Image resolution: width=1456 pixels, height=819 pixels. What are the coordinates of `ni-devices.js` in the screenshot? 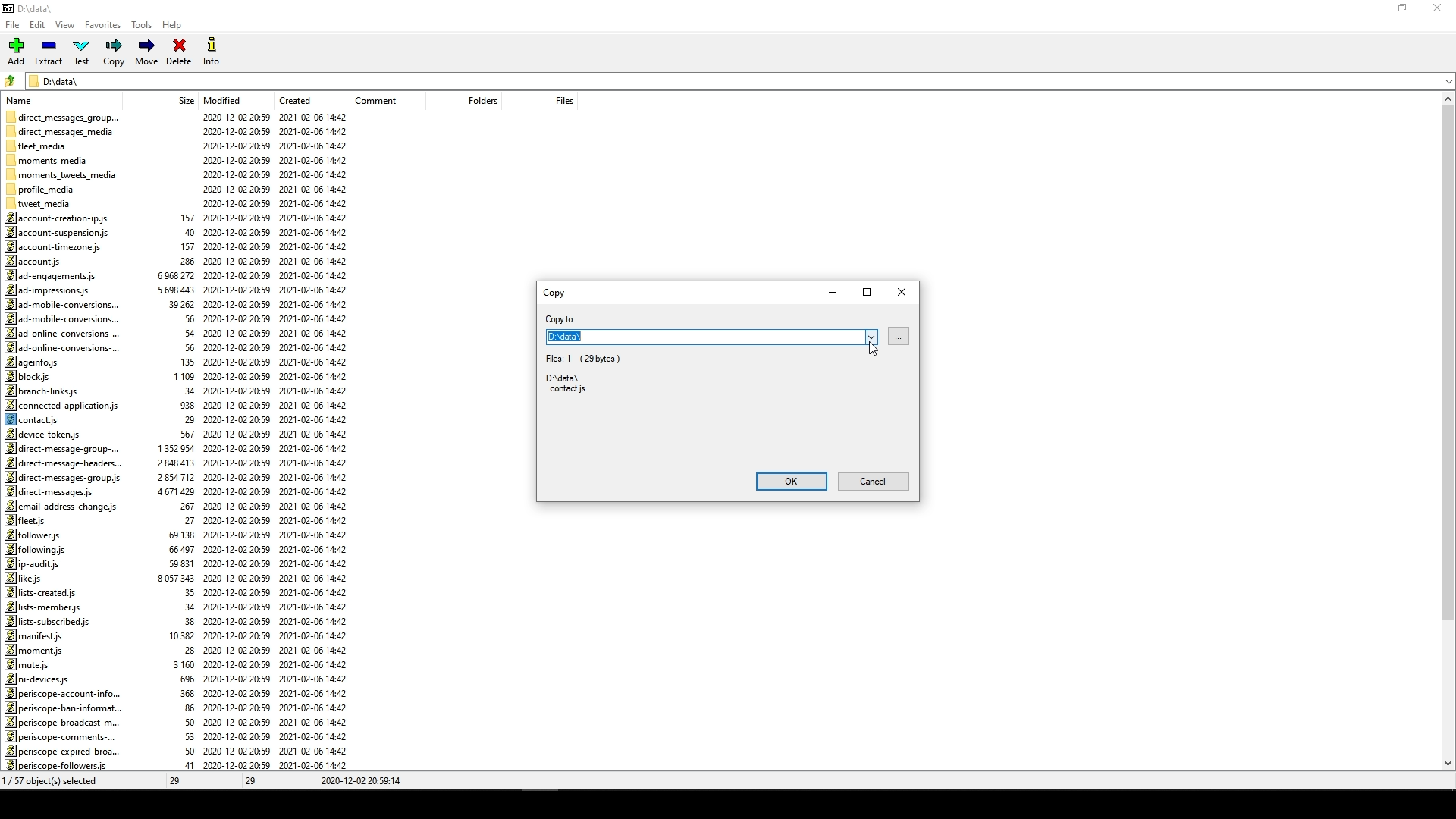 It's located at (40, 678).